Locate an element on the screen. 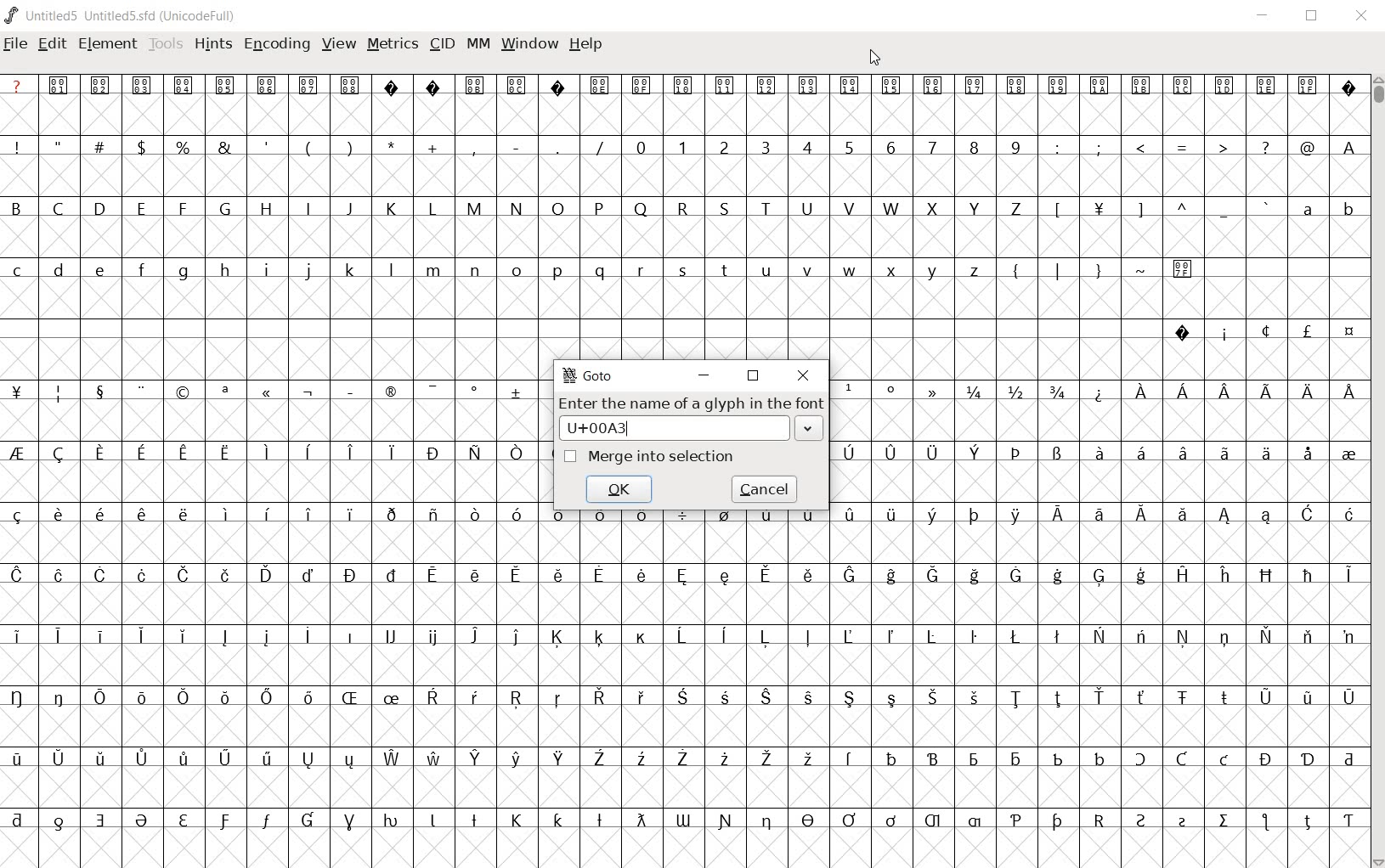 The width and height of the screenshot is (1385, 868). B is located at coordinates (22, 206).